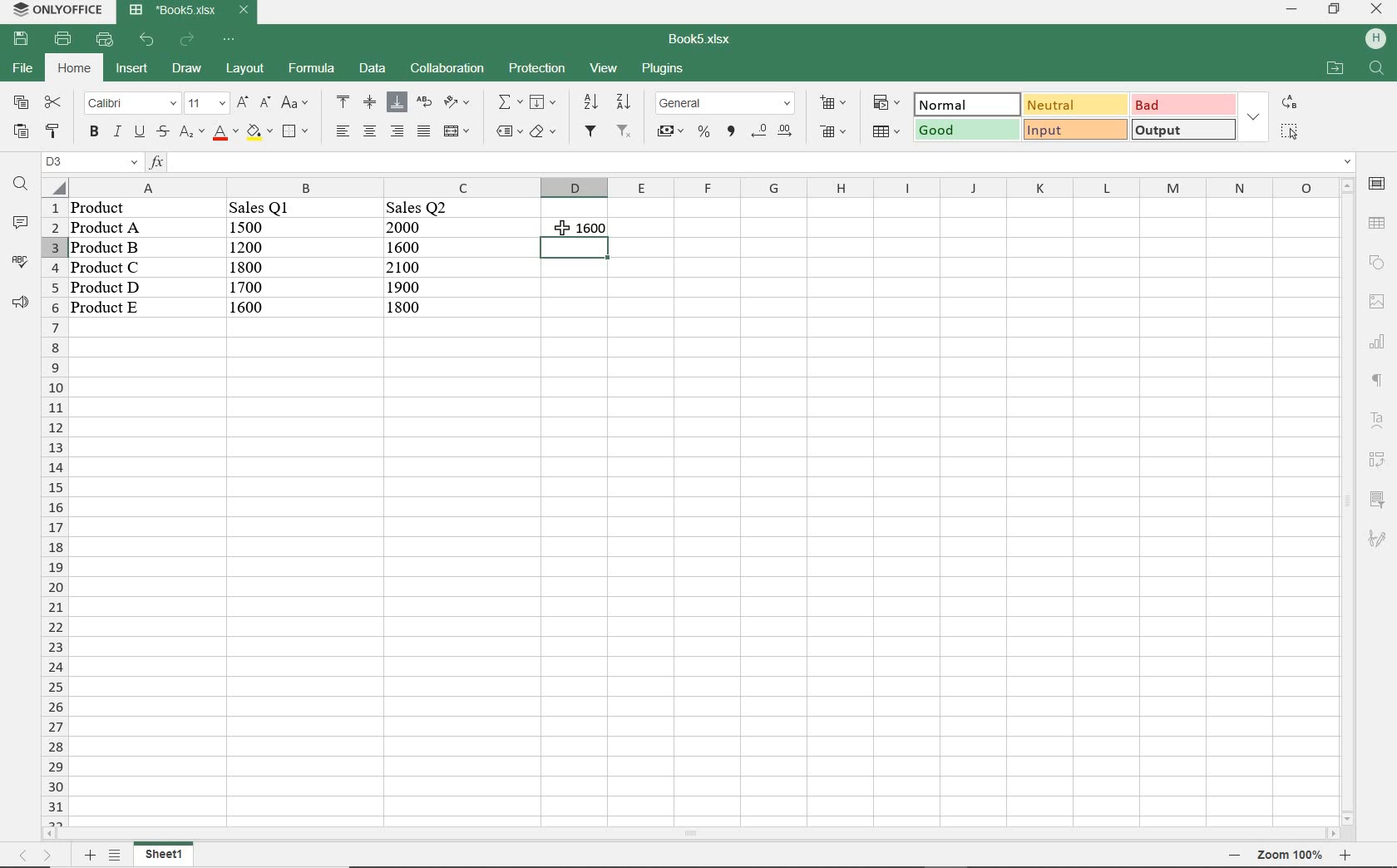 The image size is (1397, 868). I want to click on accounting style, so click(670, 131).